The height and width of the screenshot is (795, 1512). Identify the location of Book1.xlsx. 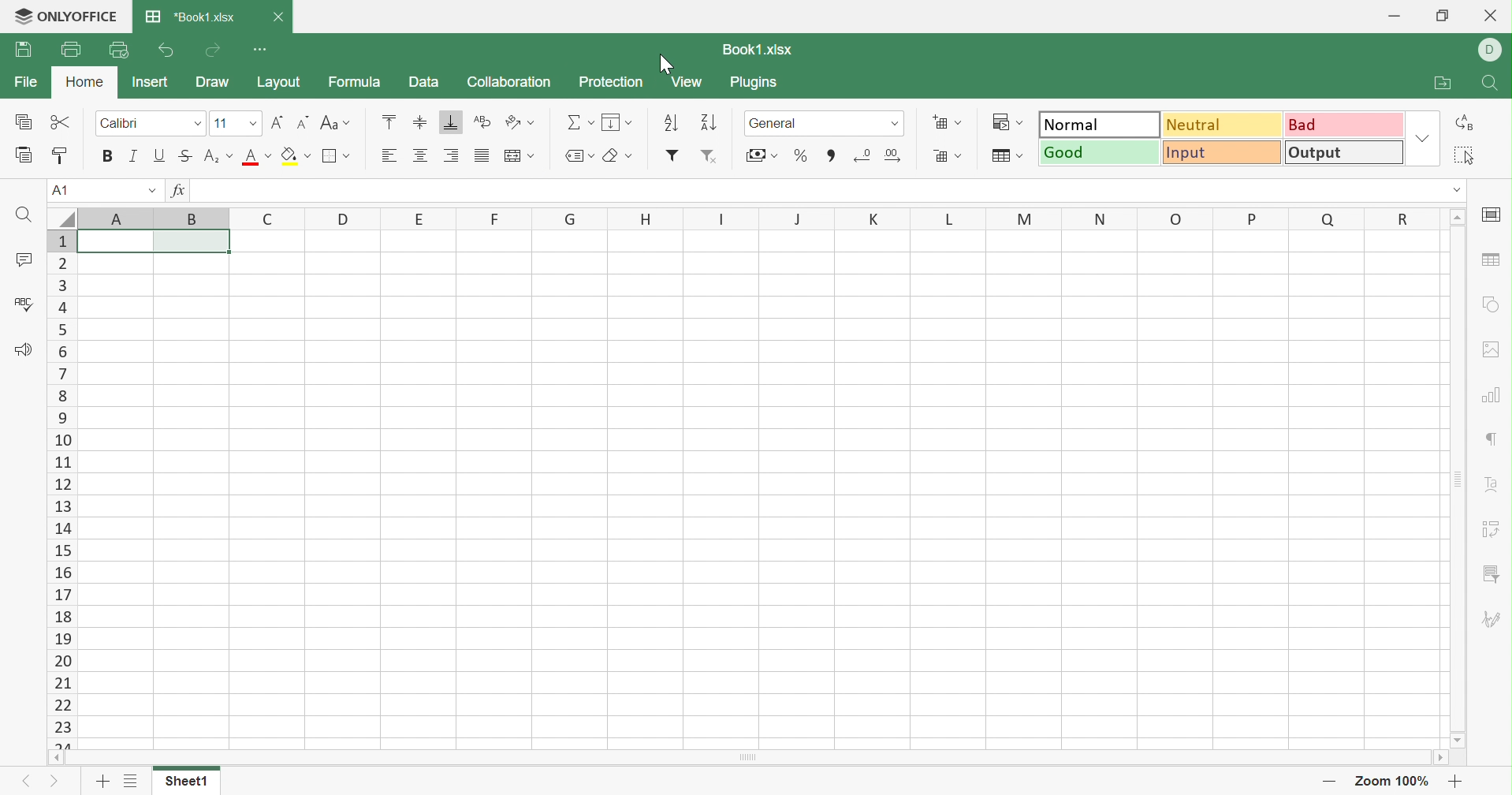
(758, 50).